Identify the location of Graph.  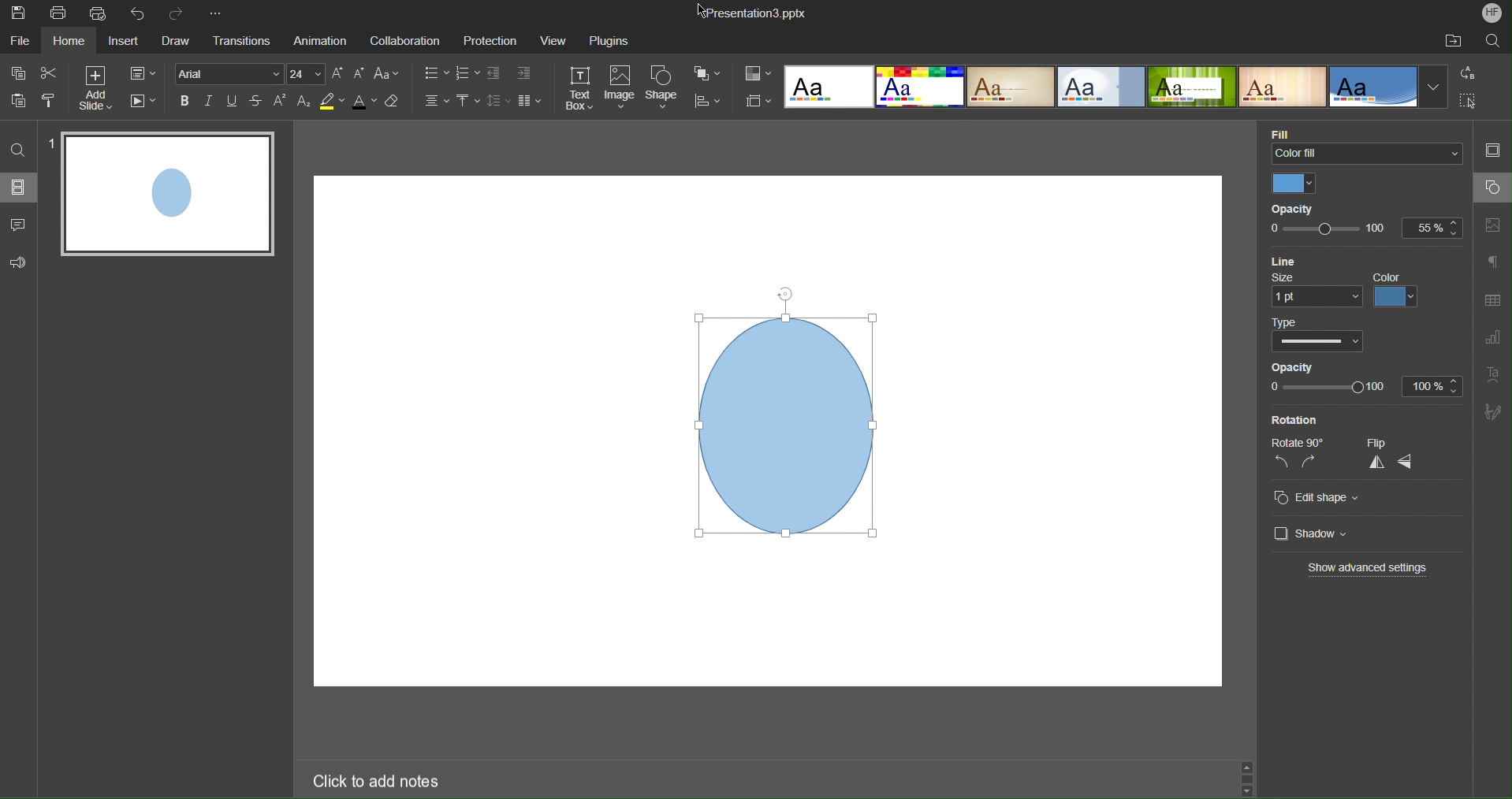
(1492, 337).